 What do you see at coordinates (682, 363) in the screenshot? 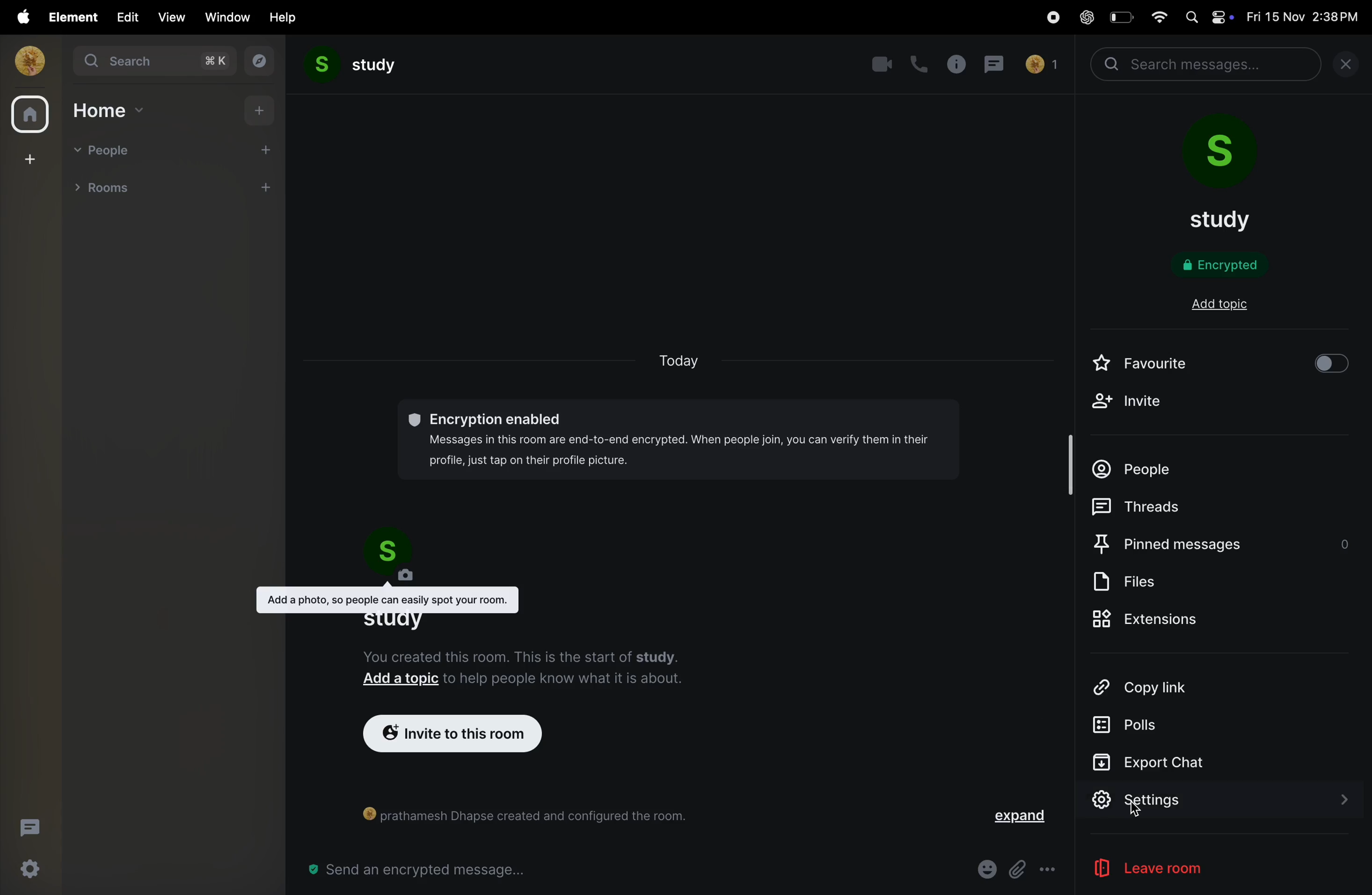
I see `Today` at bounding box center [682, 363].